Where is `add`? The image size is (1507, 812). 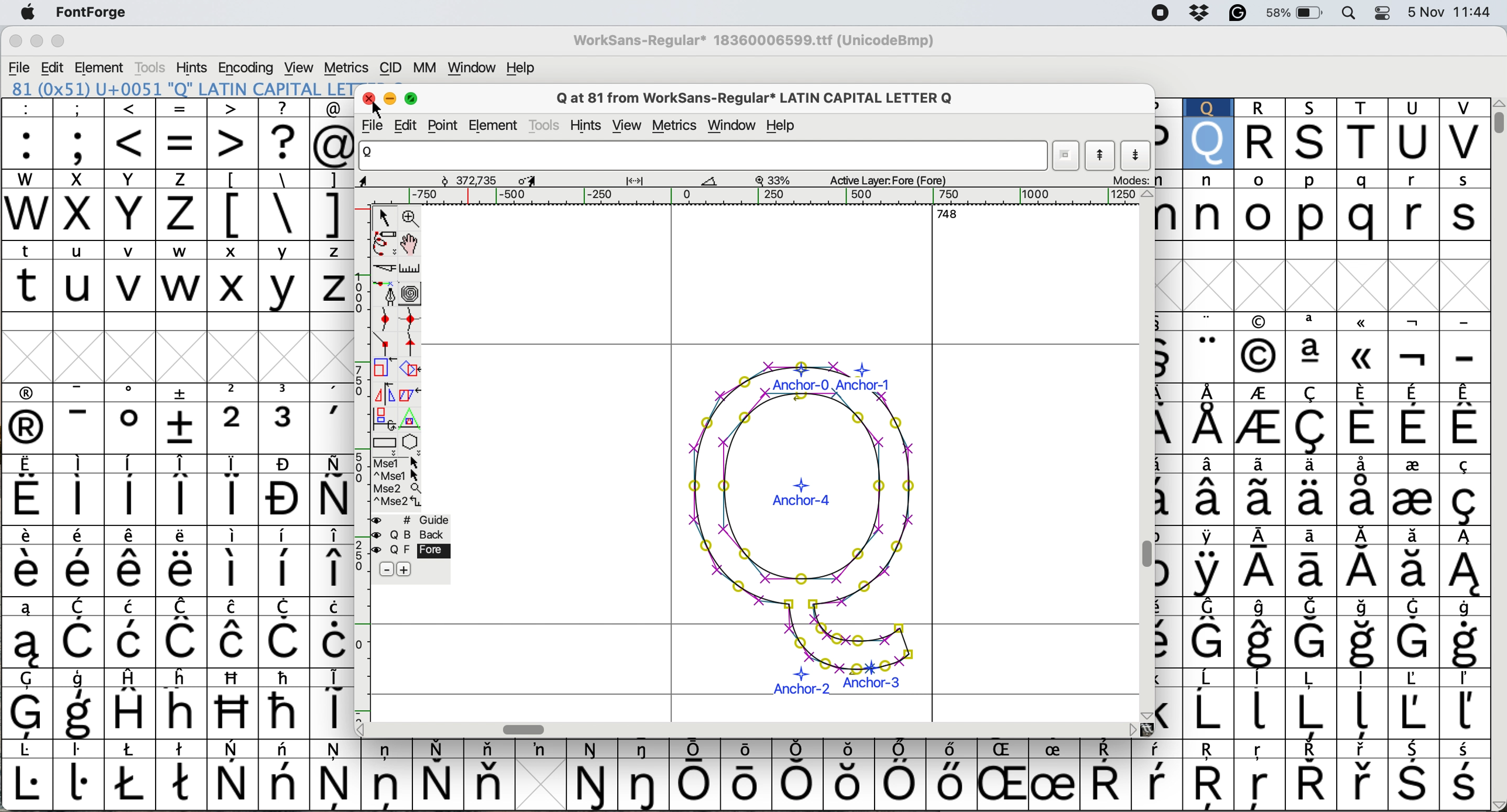 add is located at coordinates (416, 570).